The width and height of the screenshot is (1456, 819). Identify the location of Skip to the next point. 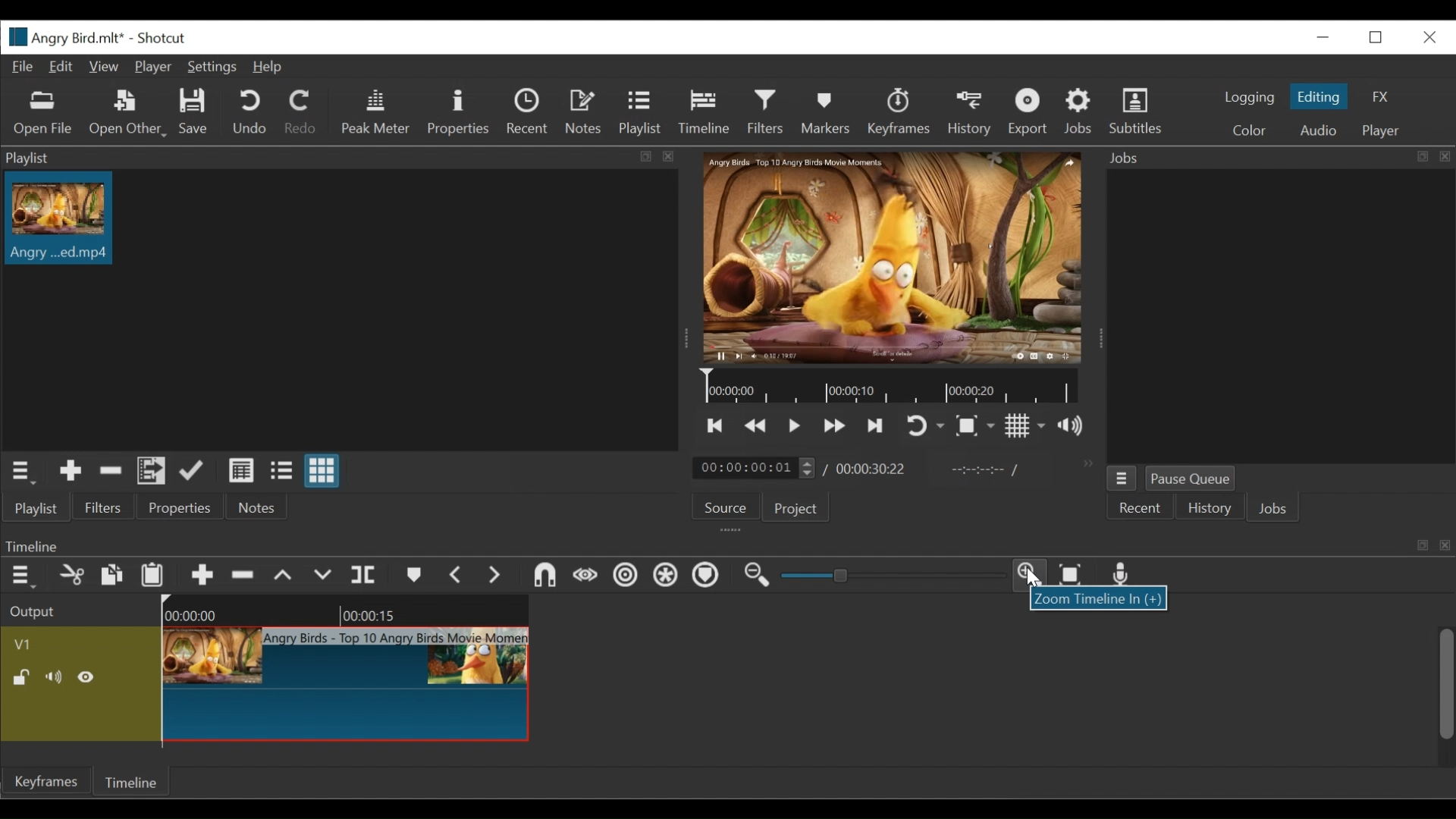
(876, 424).